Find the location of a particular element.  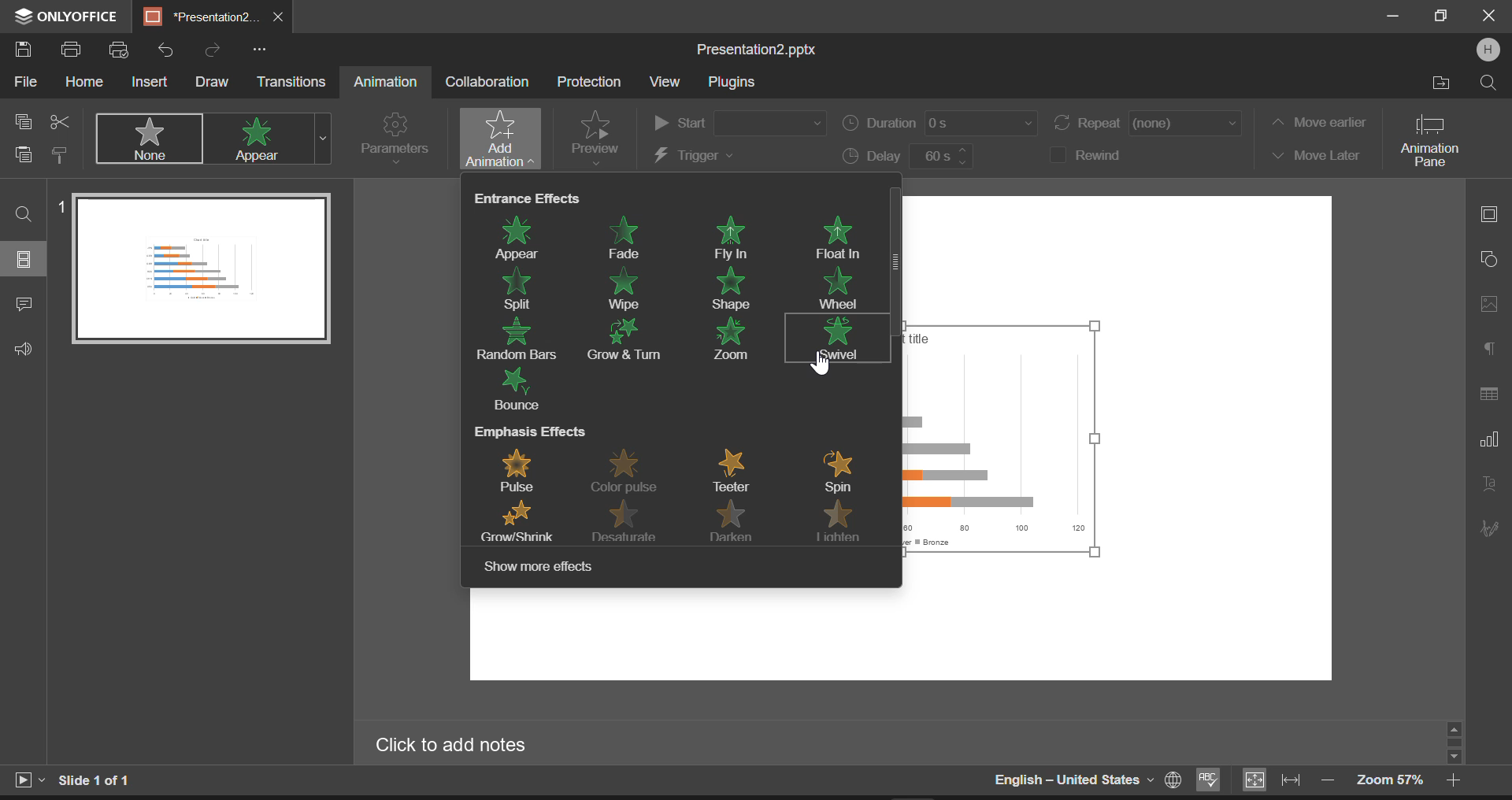

Slide Settings is located at coordinates (1487, 213).